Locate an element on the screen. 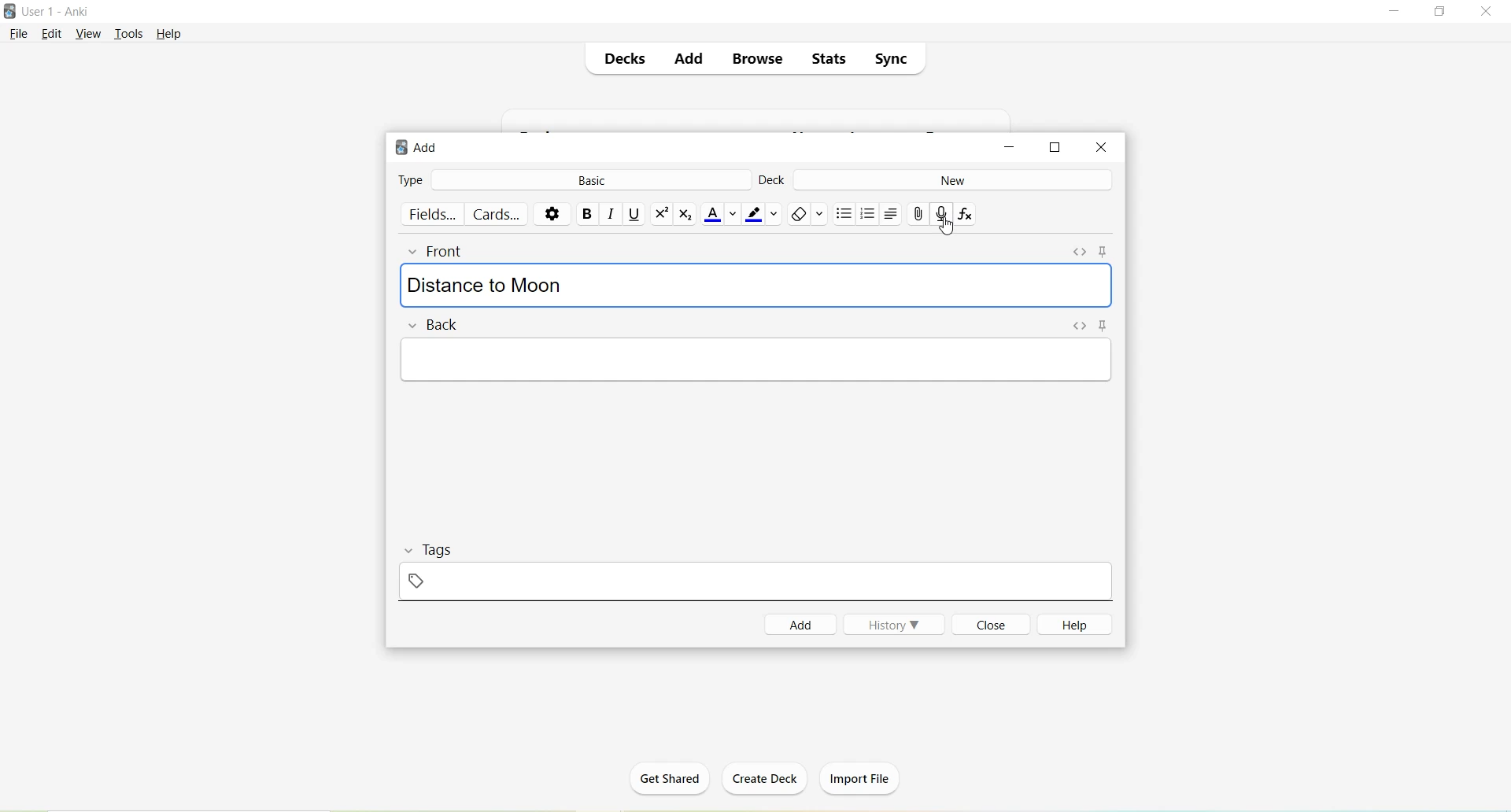 The image size is (1511, 812). Logo is located at coordinates (9, 11).